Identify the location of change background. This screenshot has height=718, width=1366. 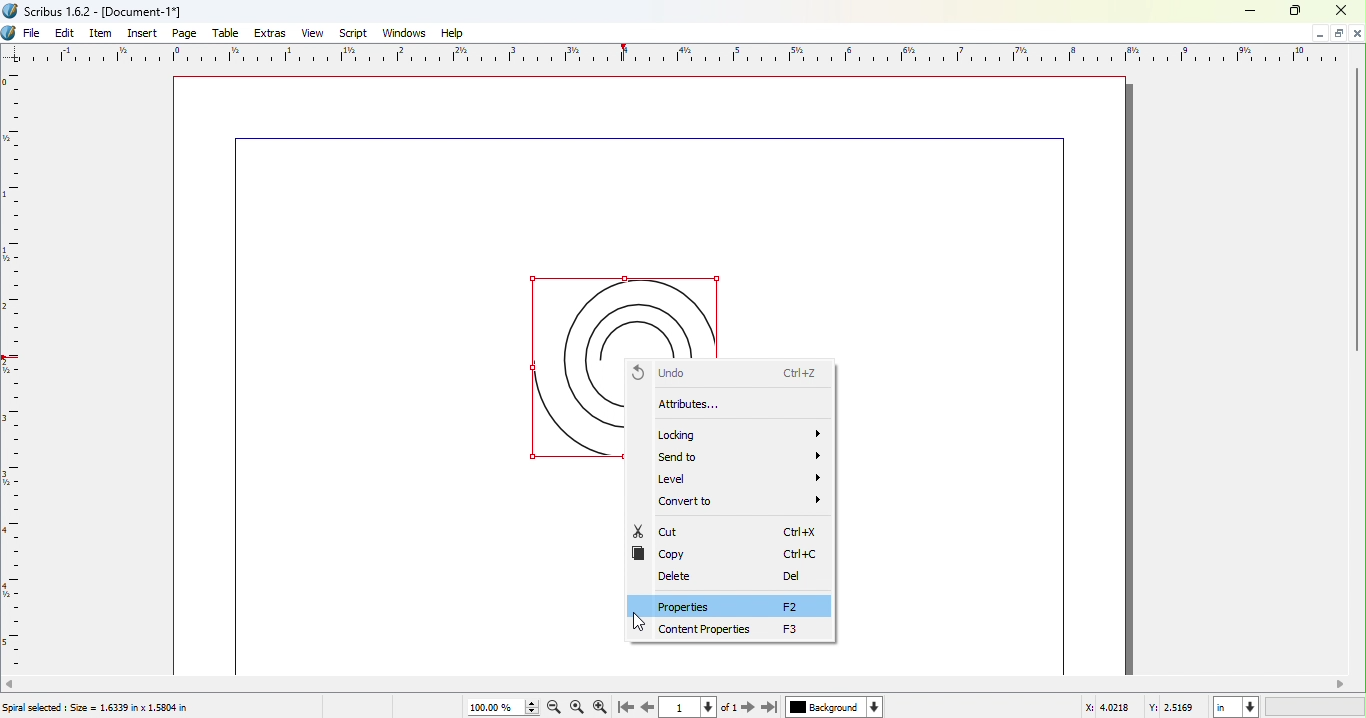
(875, 707).